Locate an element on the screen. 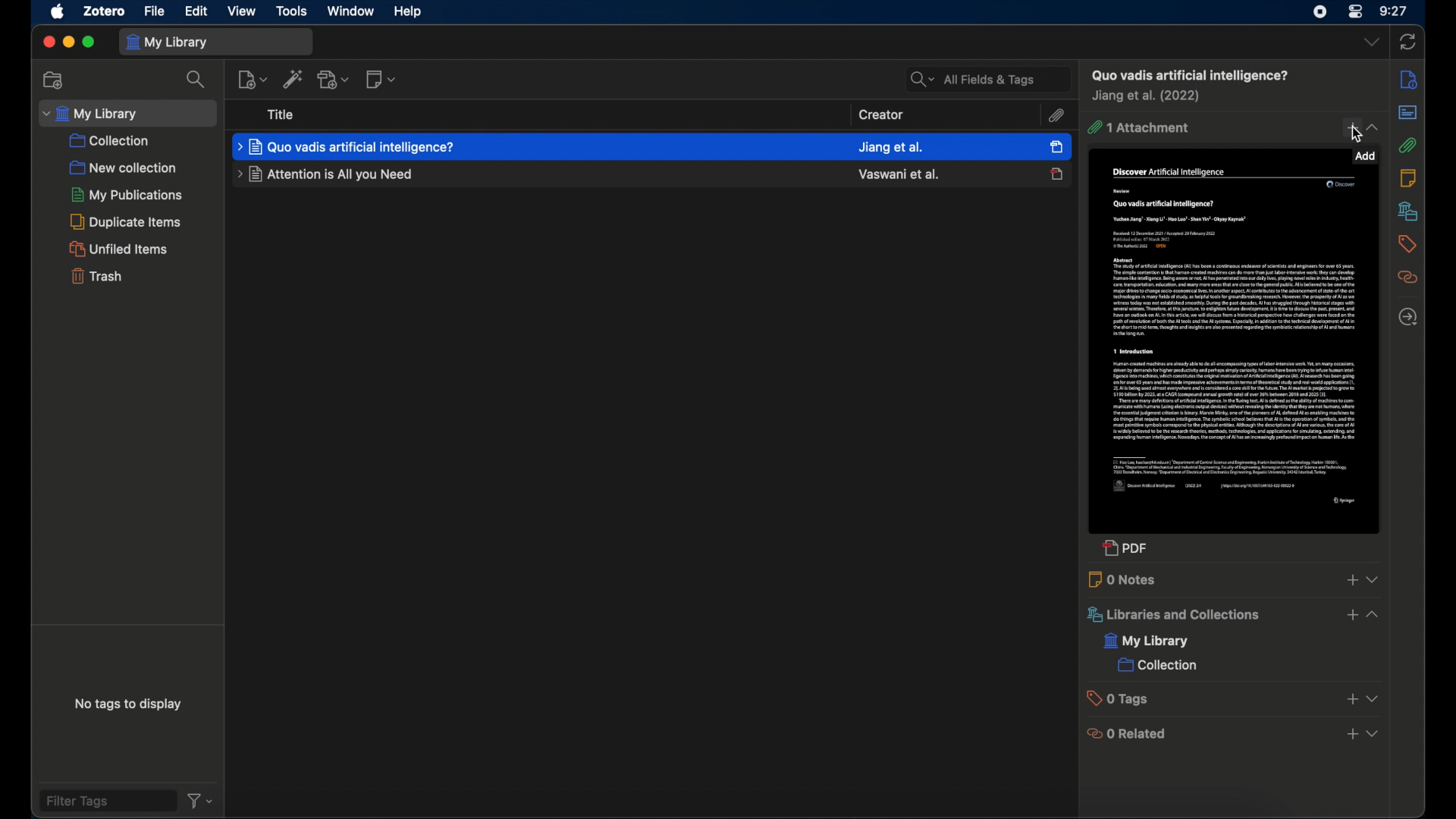 This screenshot has height=819, width=1456. zotero is located at coordinates (105, 11).